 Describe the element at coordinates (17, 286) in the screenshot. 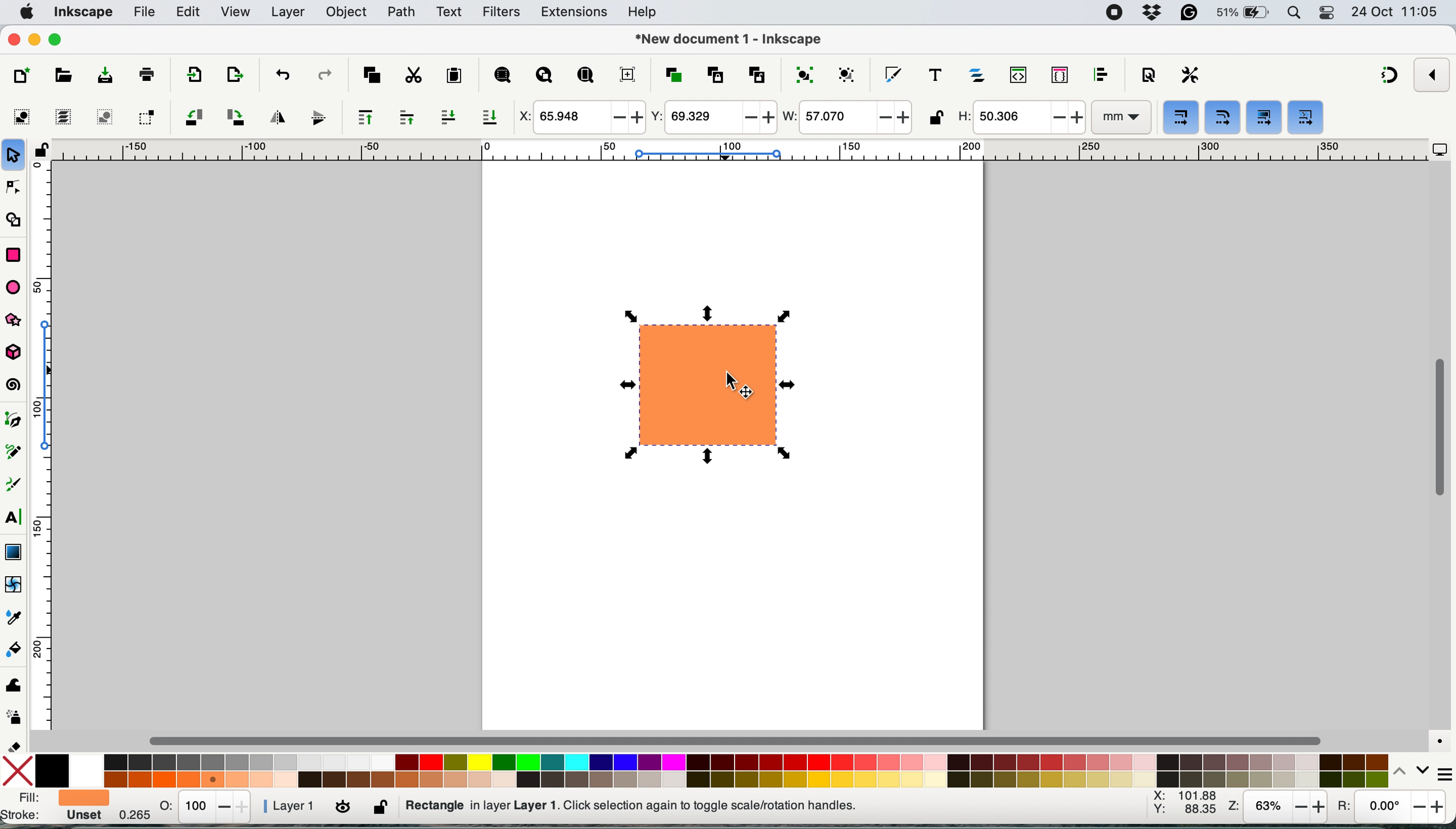

I see `ellipse arc tol` at that location.